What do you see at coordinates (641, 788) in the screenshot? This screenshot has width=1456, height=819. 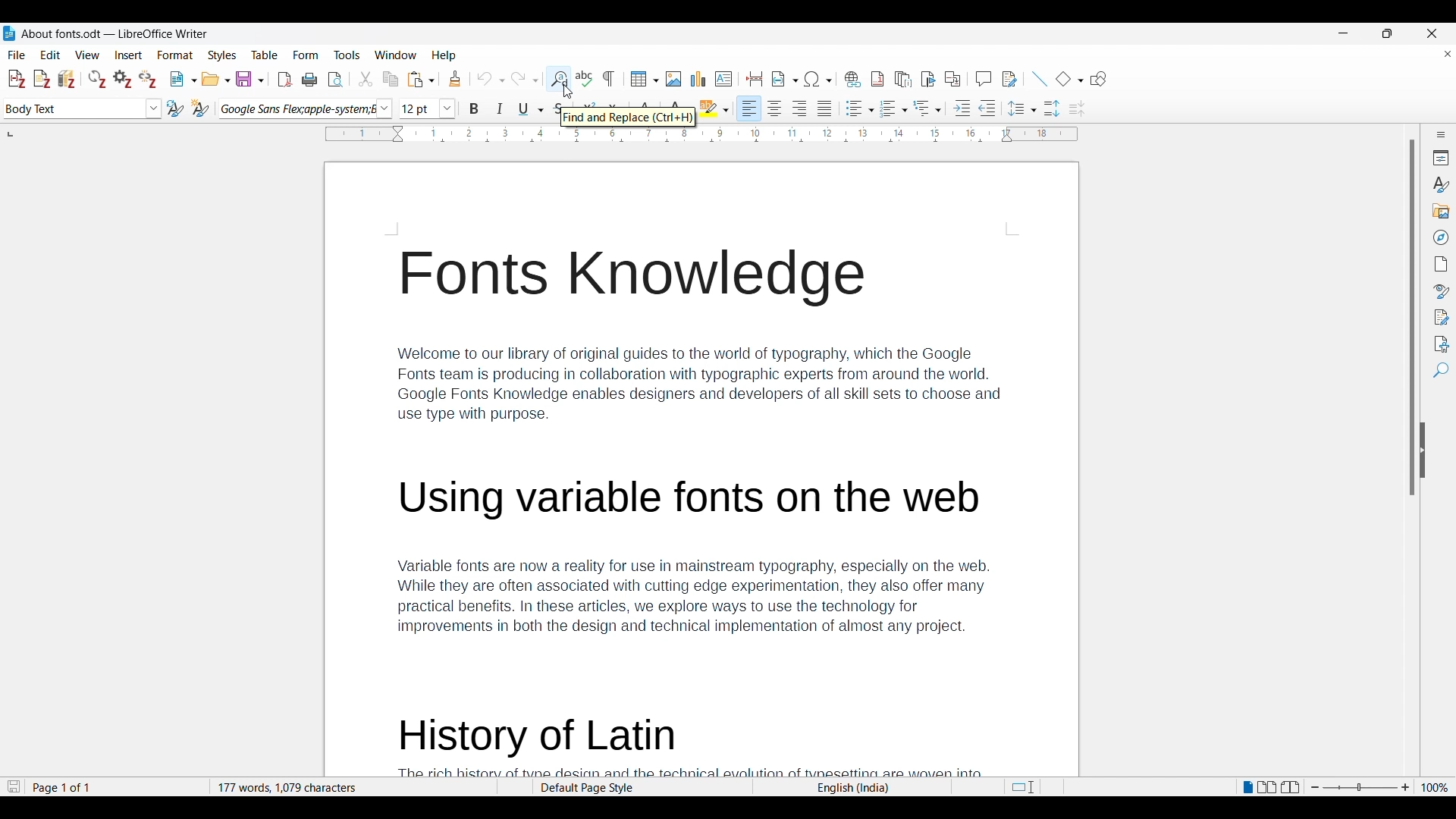 I see `Default page style` at bounding box center [641, 788].